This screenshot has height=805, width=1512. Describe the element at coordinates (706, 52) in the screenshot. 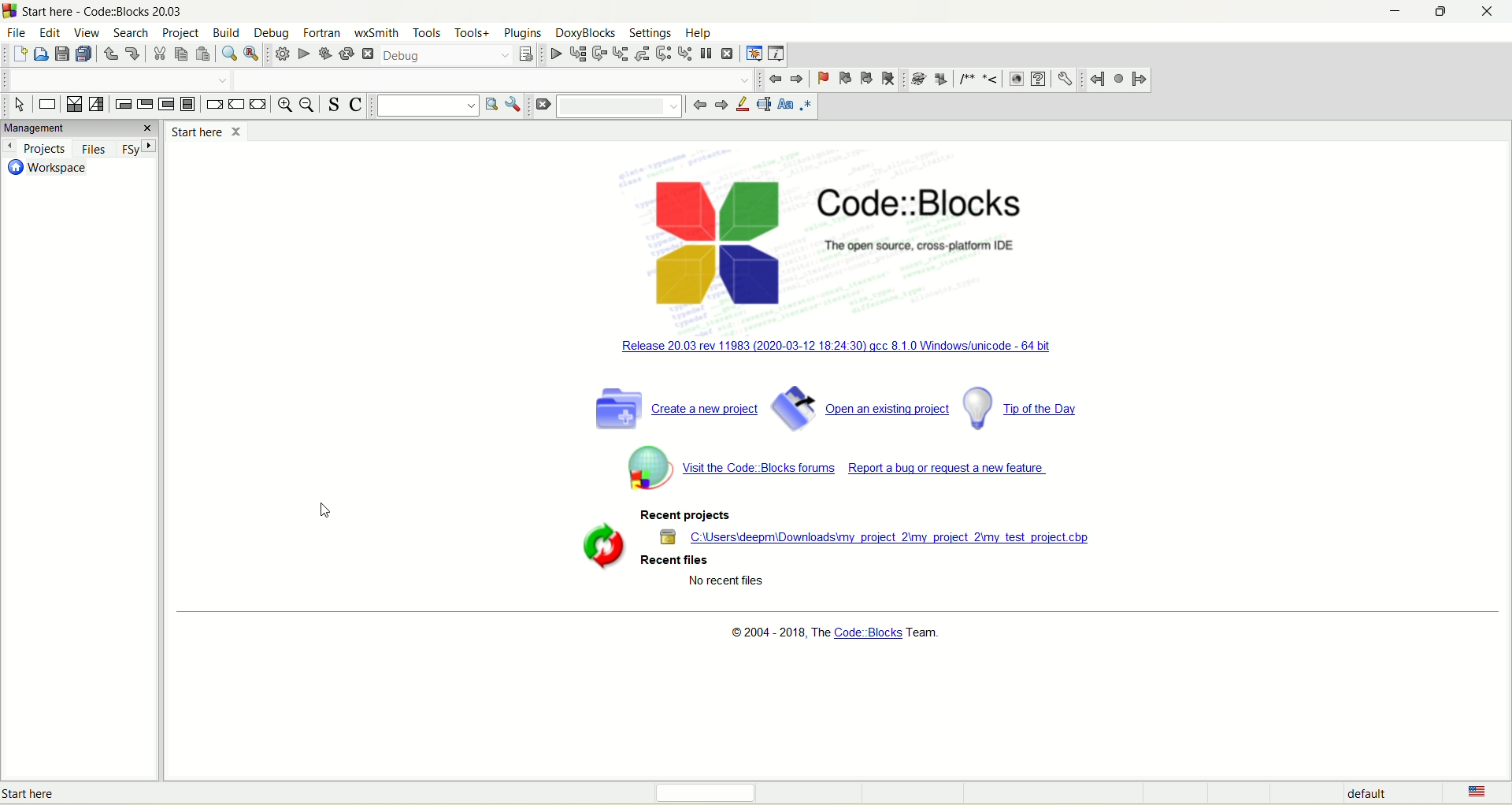

I see `break debugger` at that location.